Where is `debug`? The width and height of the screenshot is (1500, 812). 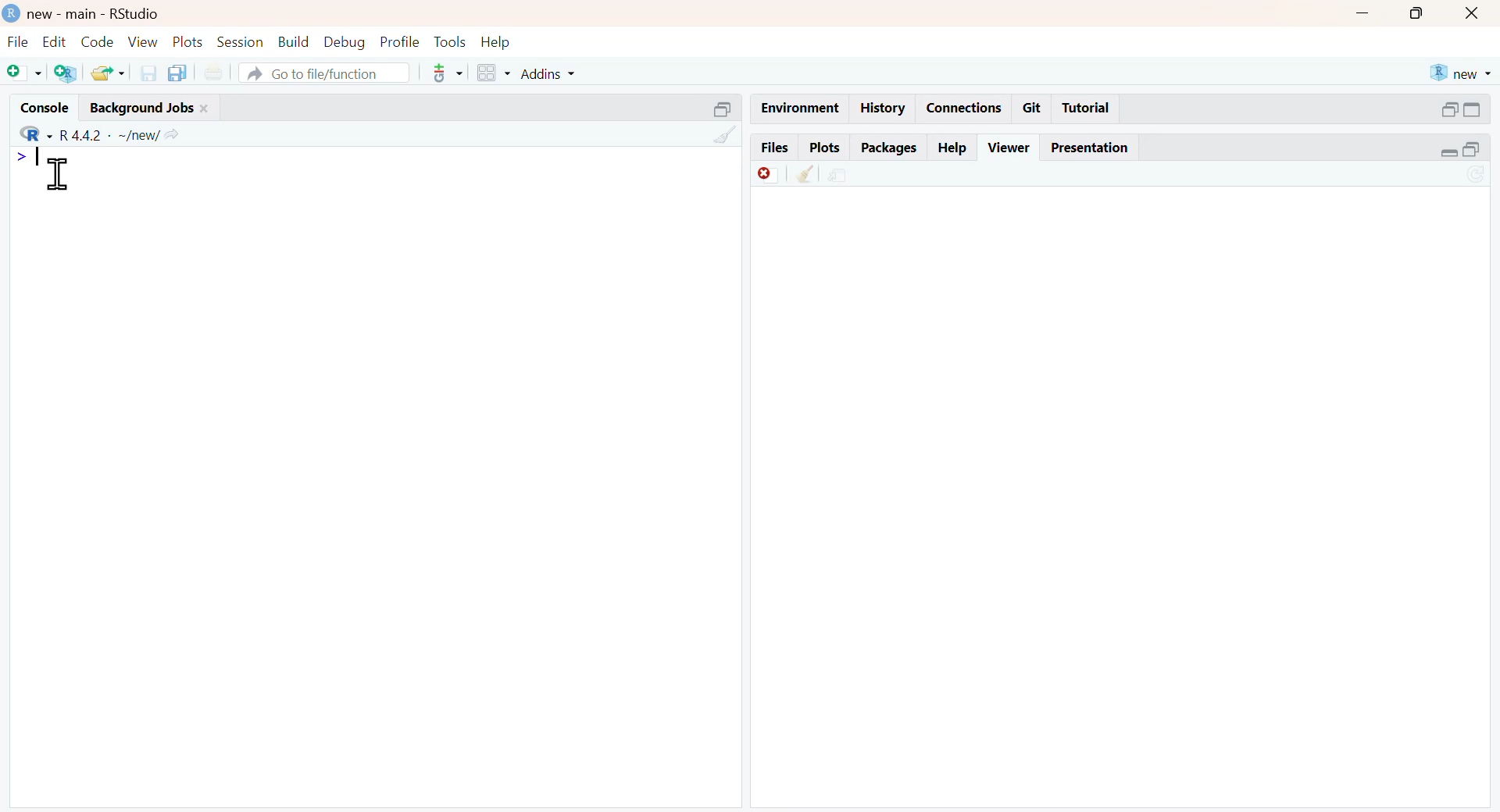
debug is located at coordinates (346, 41).